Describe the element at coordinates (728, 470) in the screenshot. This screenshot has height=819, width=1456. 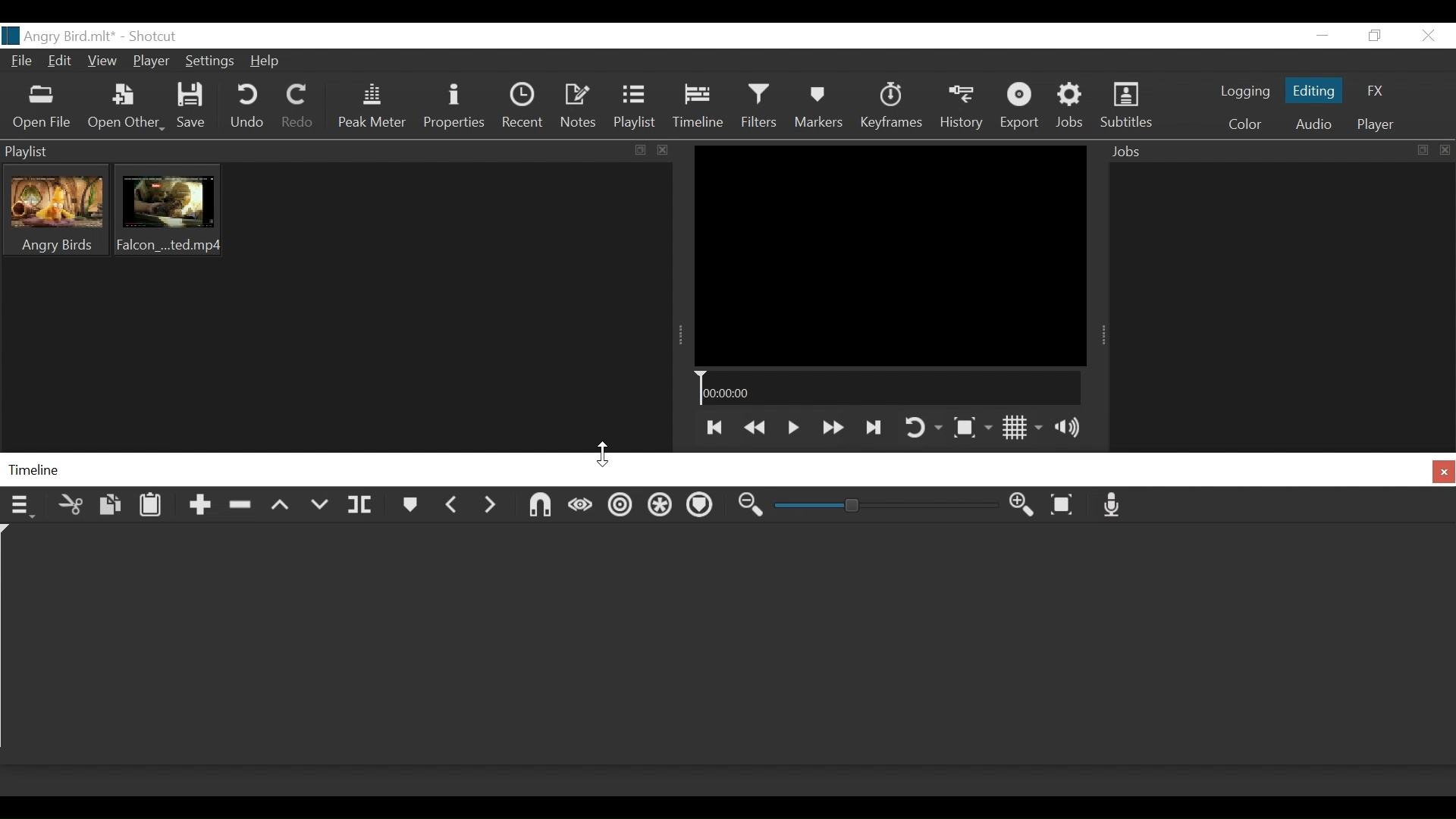
I see `Timeline Panel` at that location.